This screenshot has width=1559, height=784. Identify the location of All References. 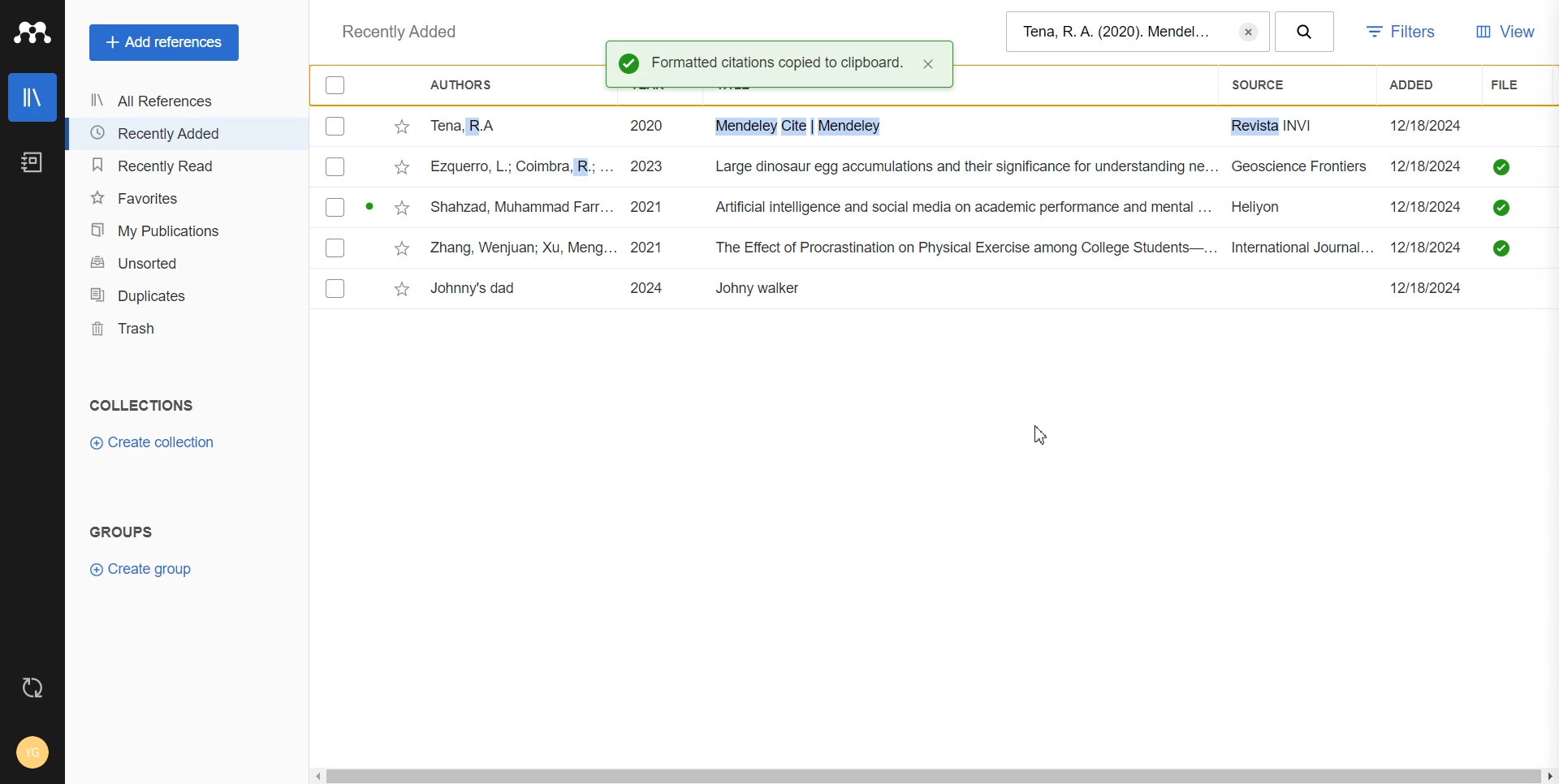
(183, 102).